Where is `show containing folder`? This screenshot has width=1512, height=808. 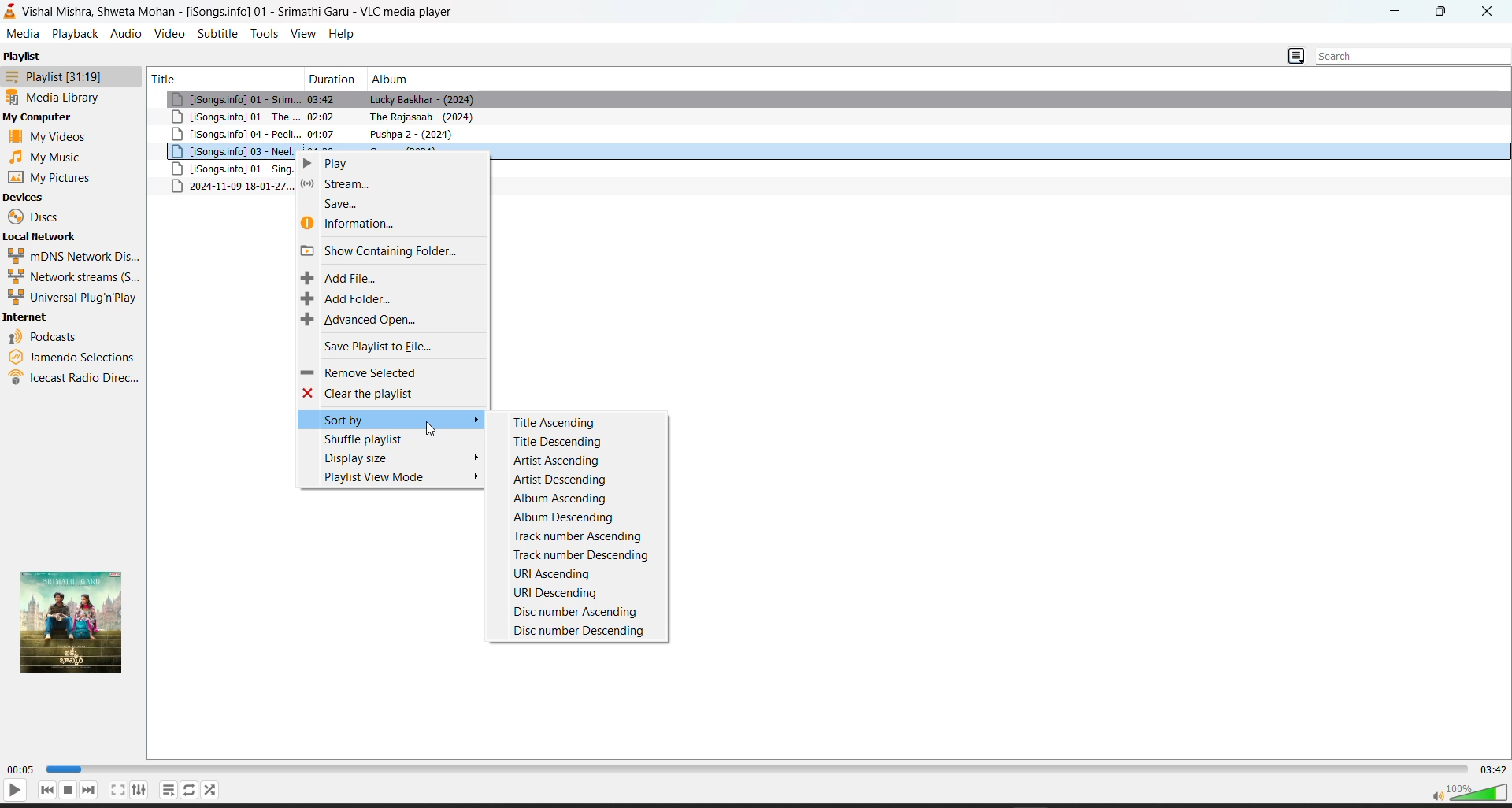 show containing folder is located at coordinates (392, 250).